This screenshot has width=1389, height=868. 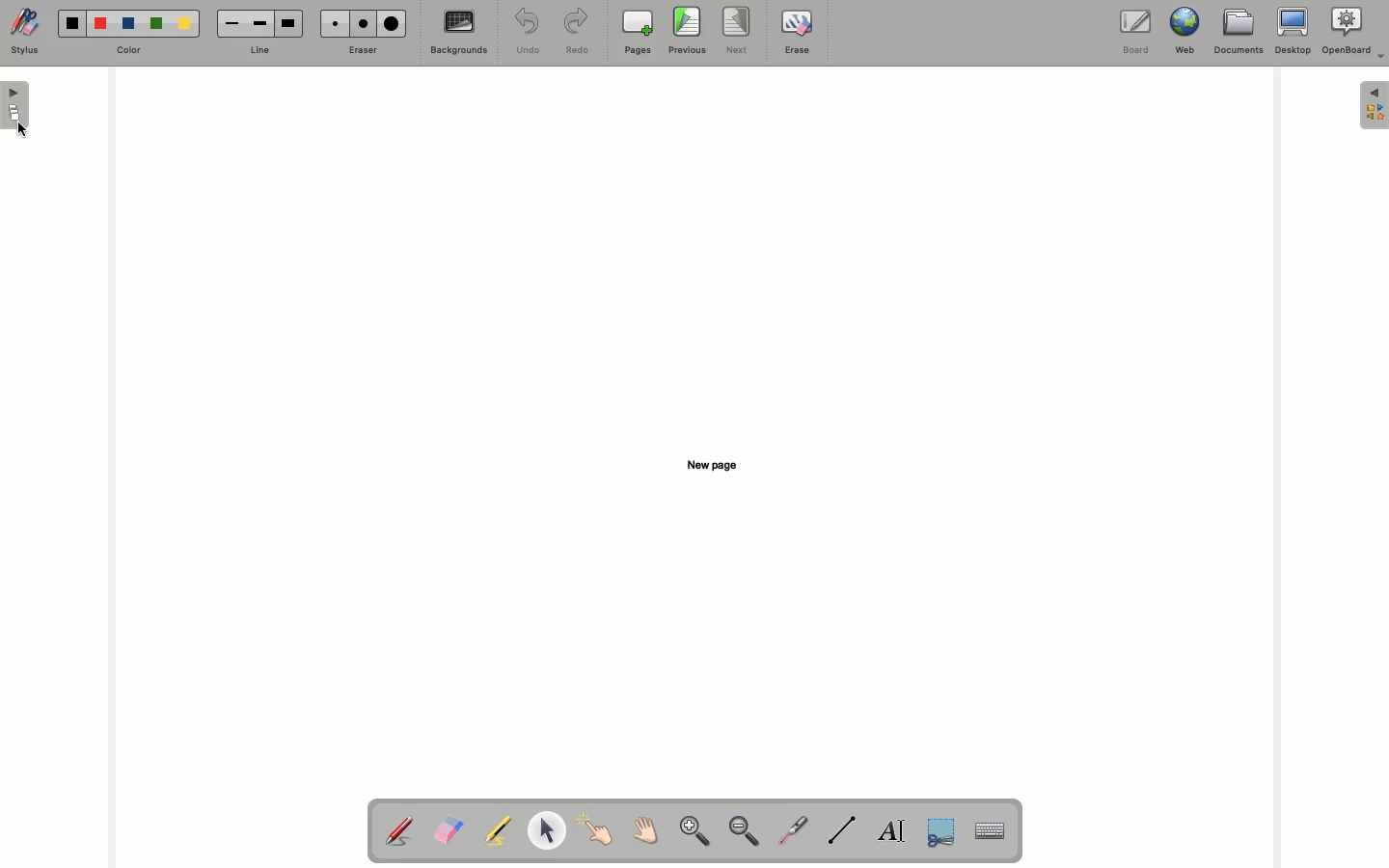 I want to click on Previous, so click(x=688, y=31).